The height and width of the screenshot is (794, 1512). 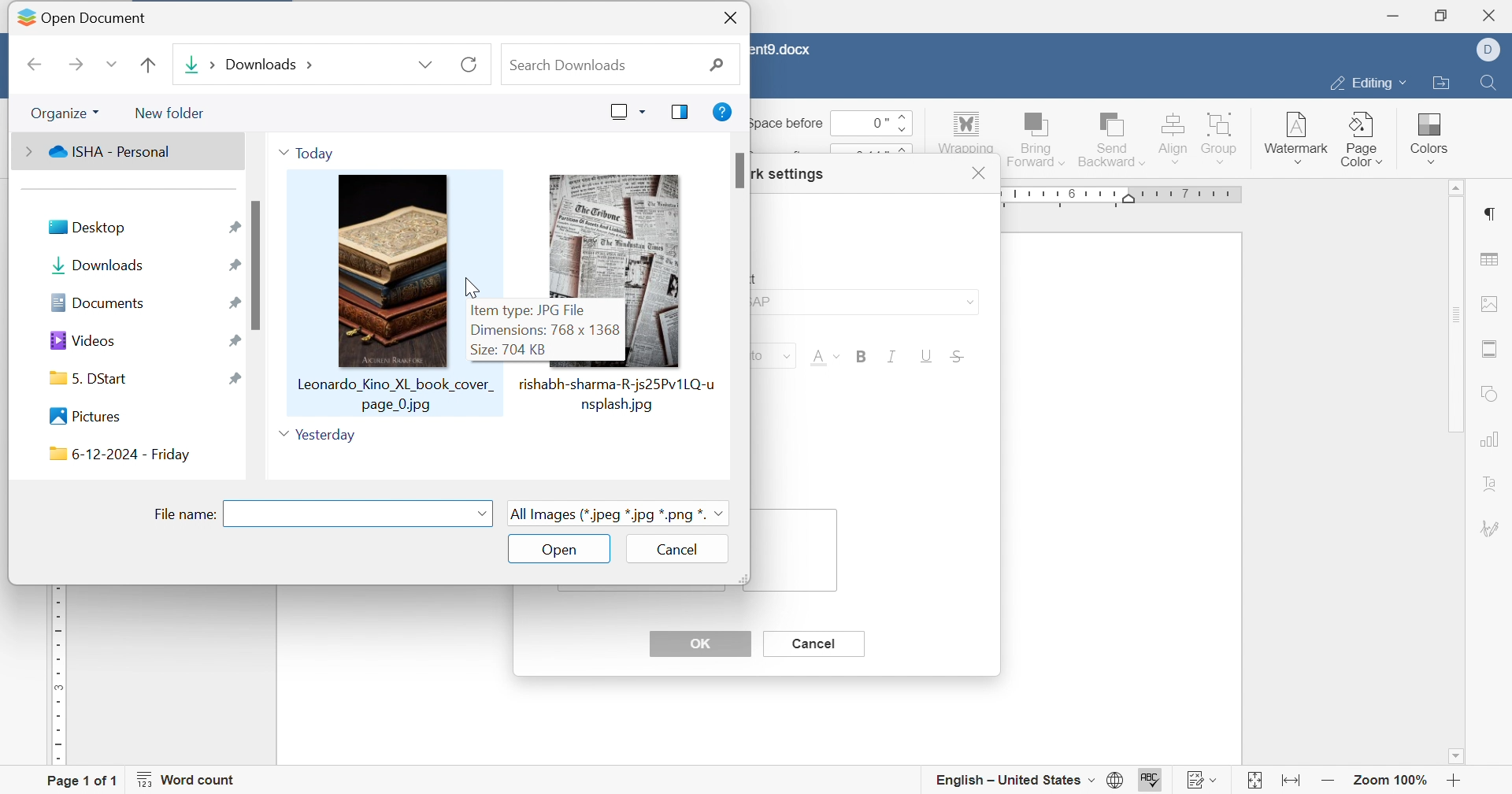 What do you see at coordinates (86, 227) in the screenshot?
I see `desktop` at bounding box center [86, 227].